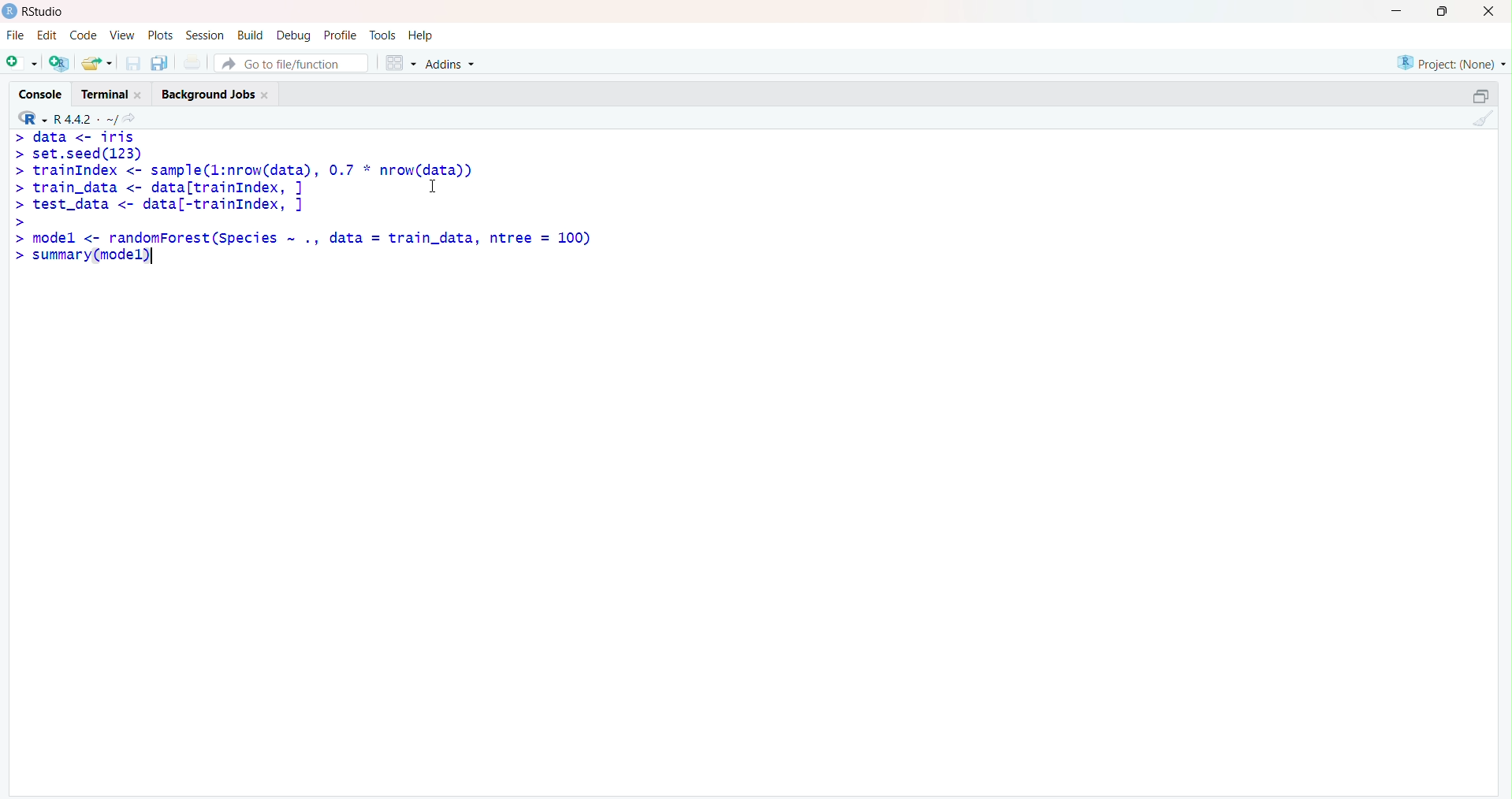 This screenshot has height=799, width=1512. I want to click on File, so click(15, 35).